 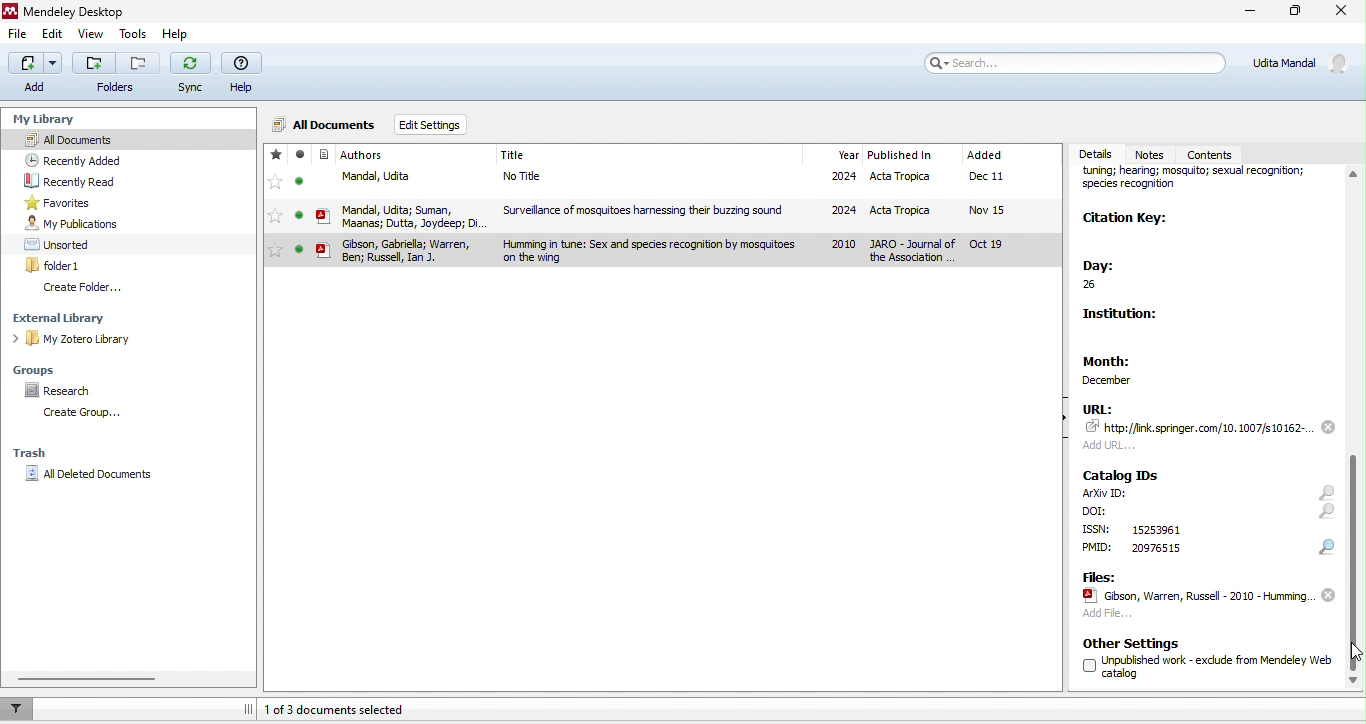 I want to click on published in, so click(x=900, y=156).